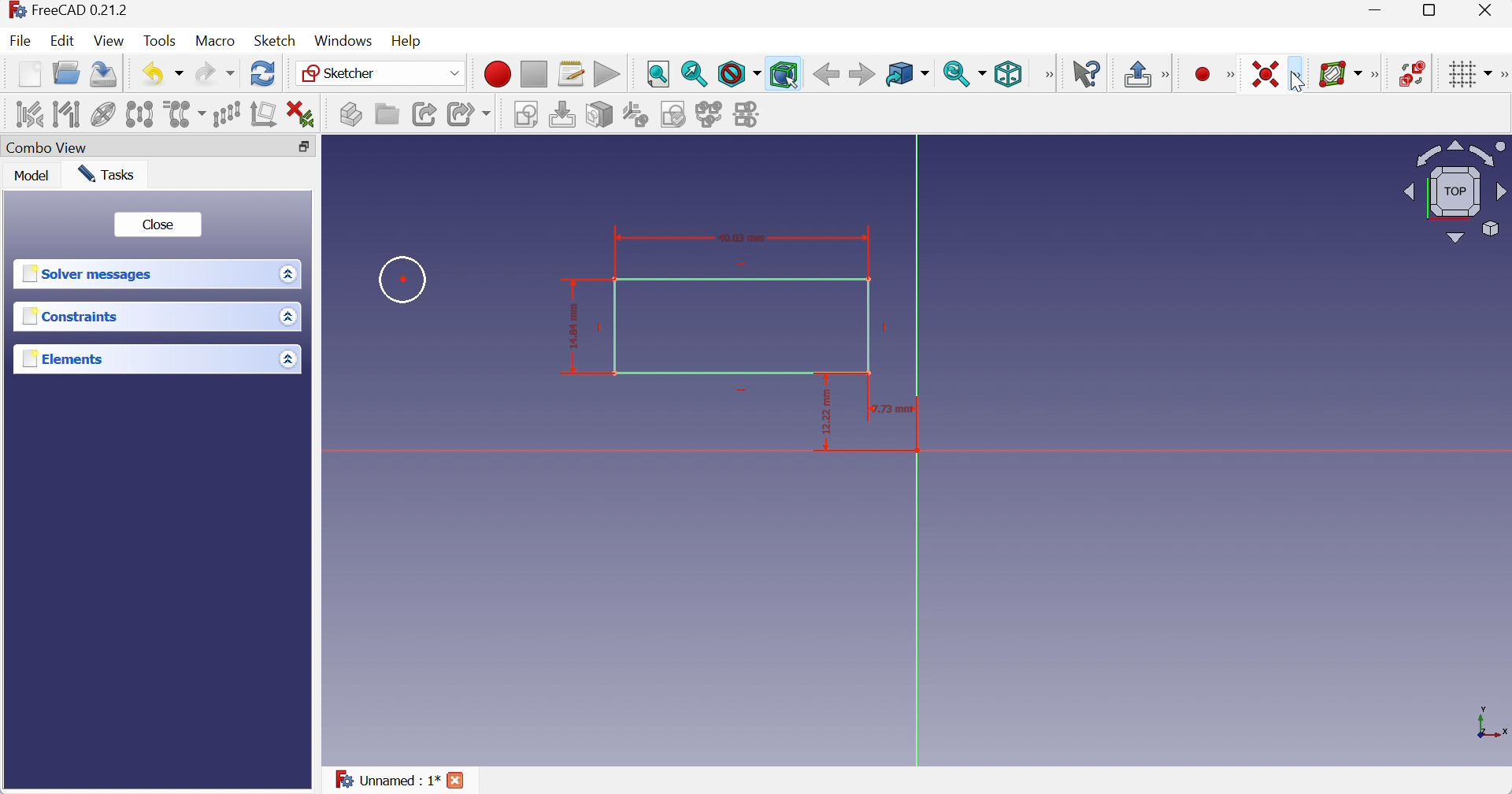 This screenshot has width=1512, height=794. I want to click on Reorient sketch..., so click(636, 115).